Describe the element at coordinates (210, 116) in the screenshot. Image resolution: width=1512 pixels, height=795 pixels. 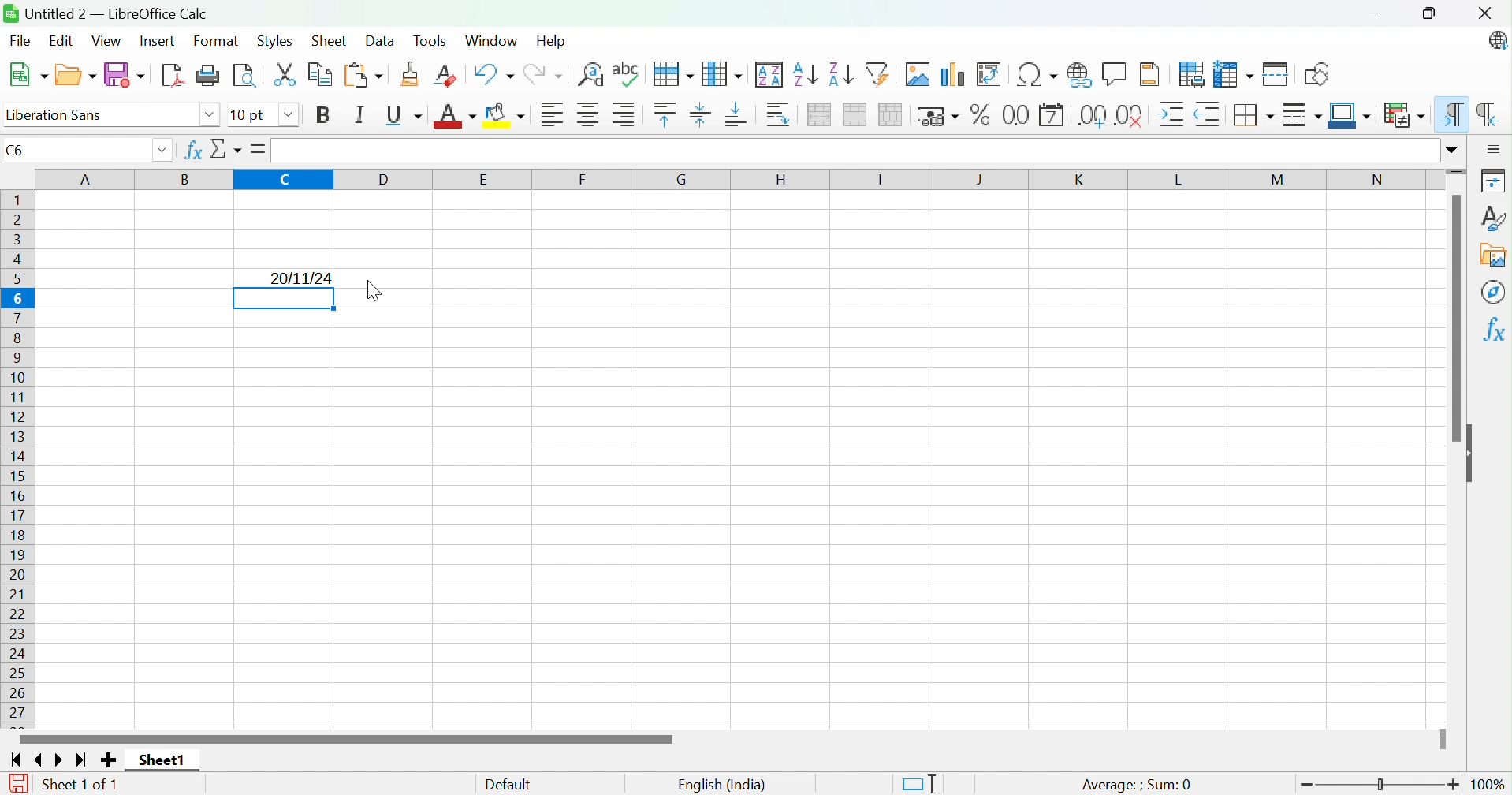
I see `Drop down` at that location.